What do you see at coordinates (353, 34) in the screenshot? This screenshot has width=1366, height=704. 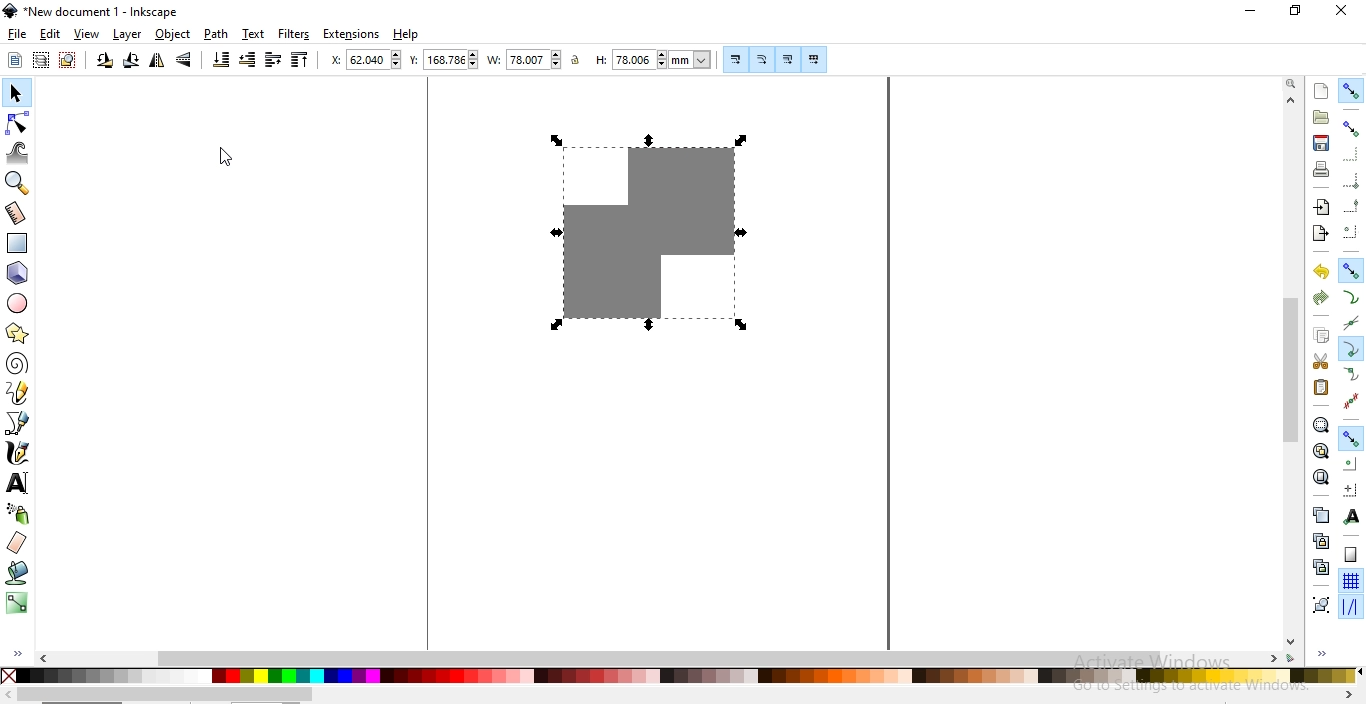 I see `extensions` at bounding box center [353, 34].